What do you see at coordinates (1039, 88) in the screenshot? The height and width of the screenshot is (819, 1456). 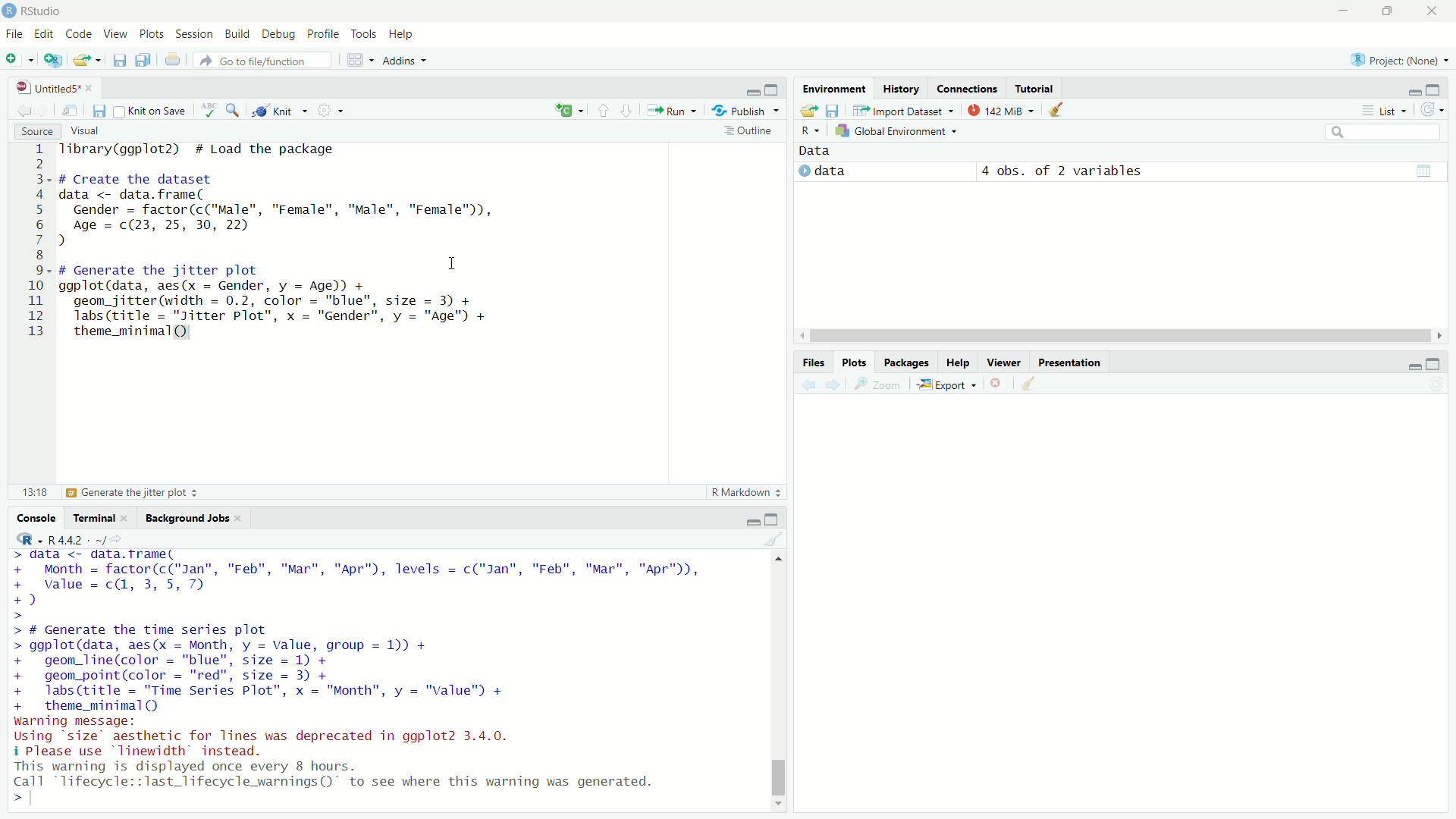 I see `tutorial` at bounding box center [1039, 88].